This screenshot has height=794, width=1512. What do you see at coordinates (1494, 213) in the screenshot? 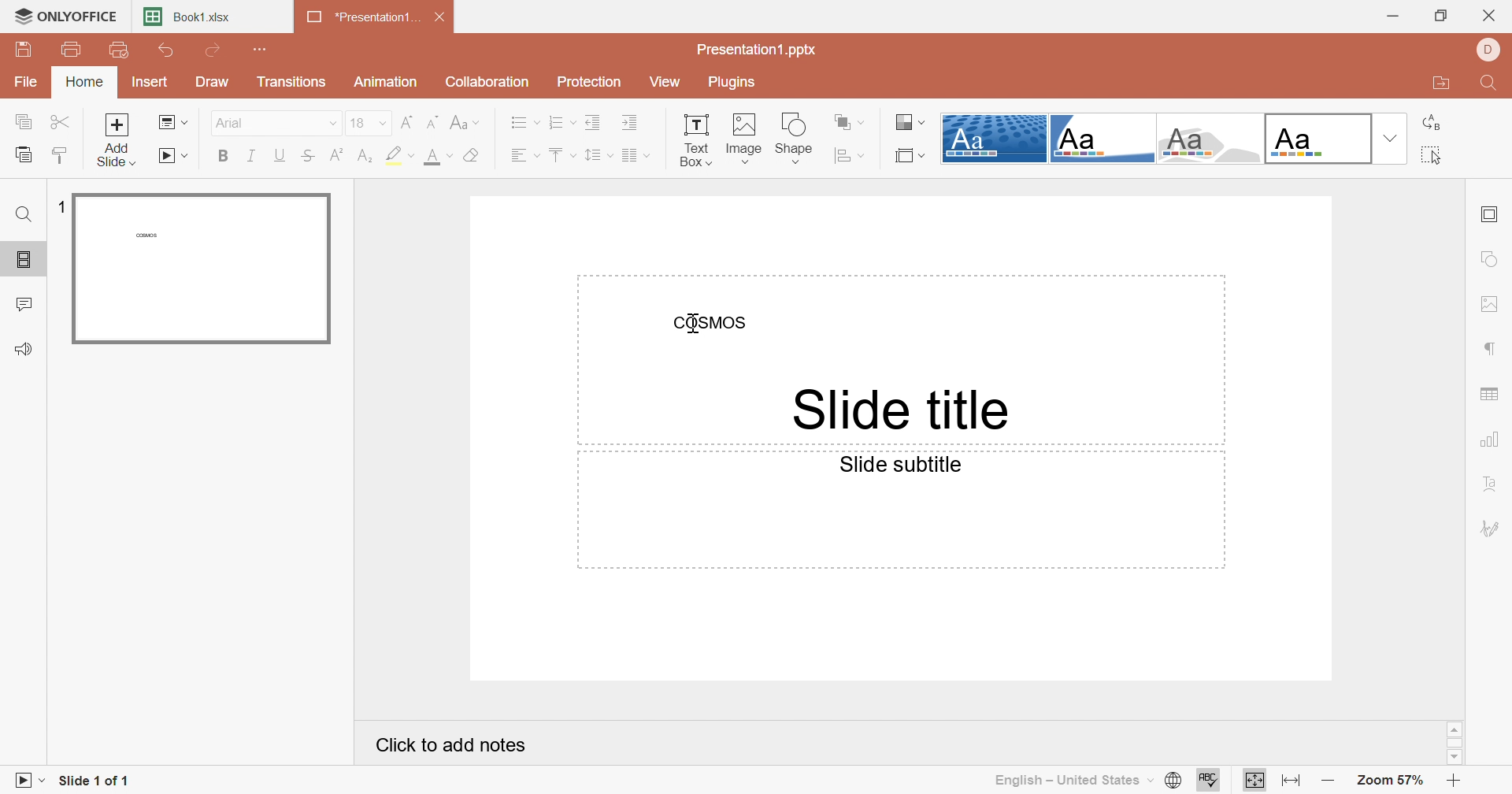
I see `Slide settings` at bounding box center [1494, 213].